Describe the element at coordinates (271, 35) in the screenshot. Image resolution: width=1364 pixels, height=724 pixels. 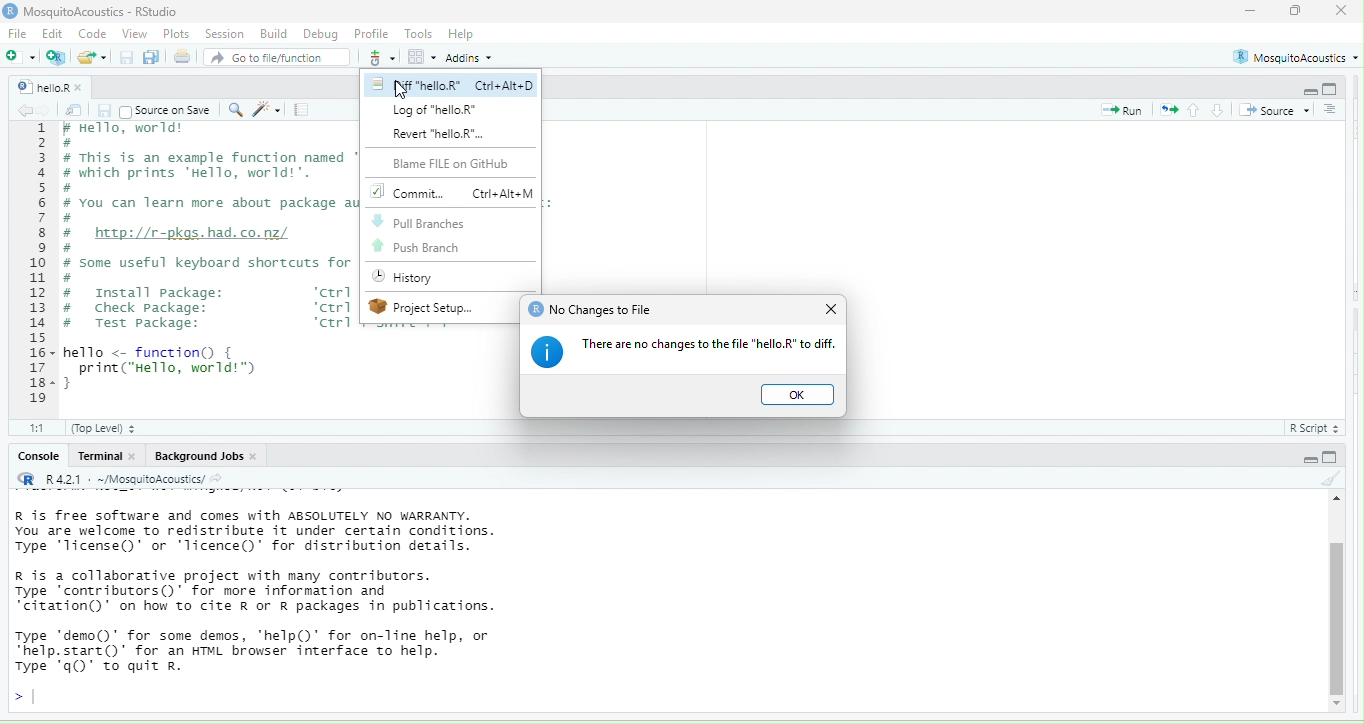
I see `Build` at that location.